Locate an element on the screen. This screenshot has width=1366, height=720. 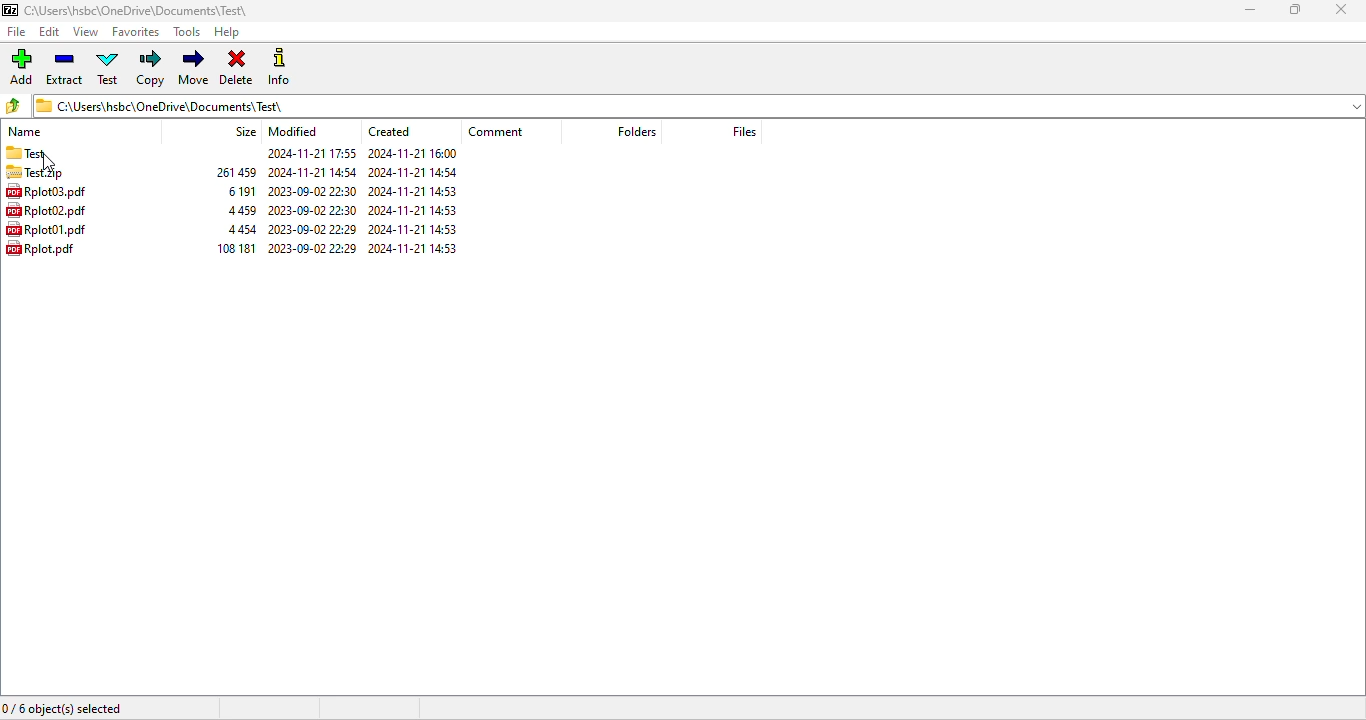
2024-11-21 14:53 is located at coordinates (415, 229).